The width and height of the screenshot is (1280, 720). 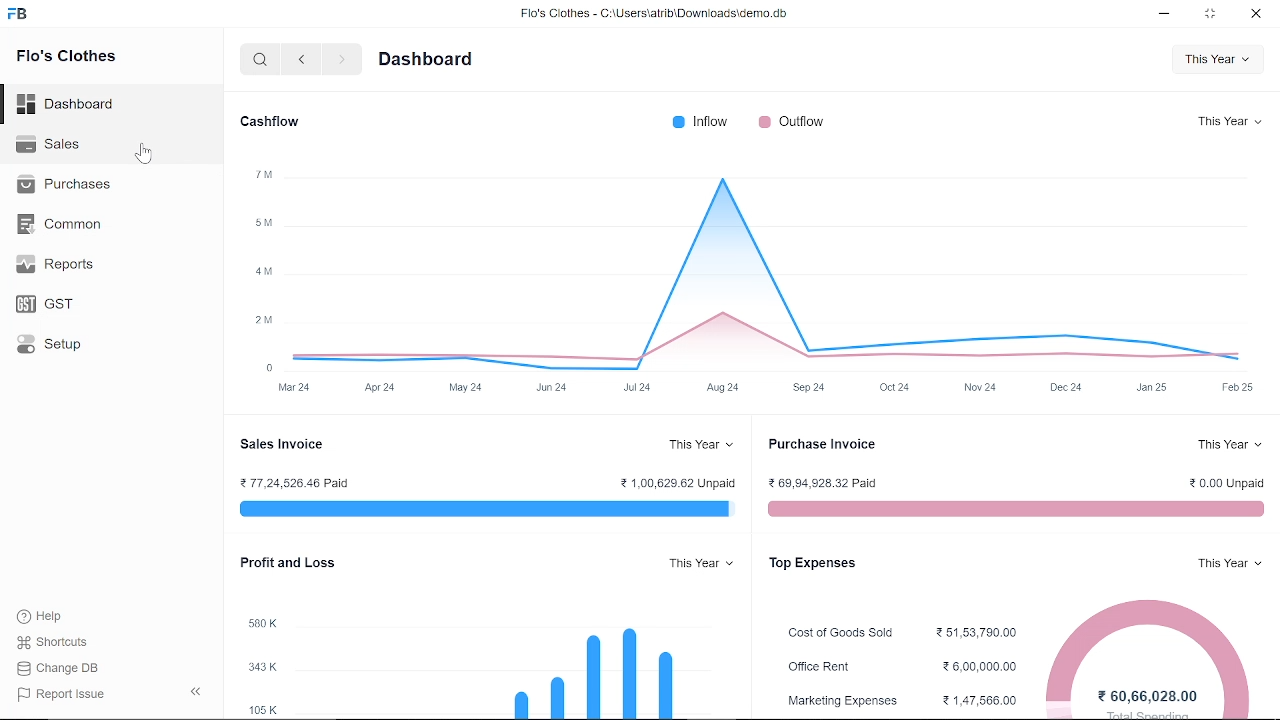 I want to click on Top Expenses., so click(x=810, y=565).